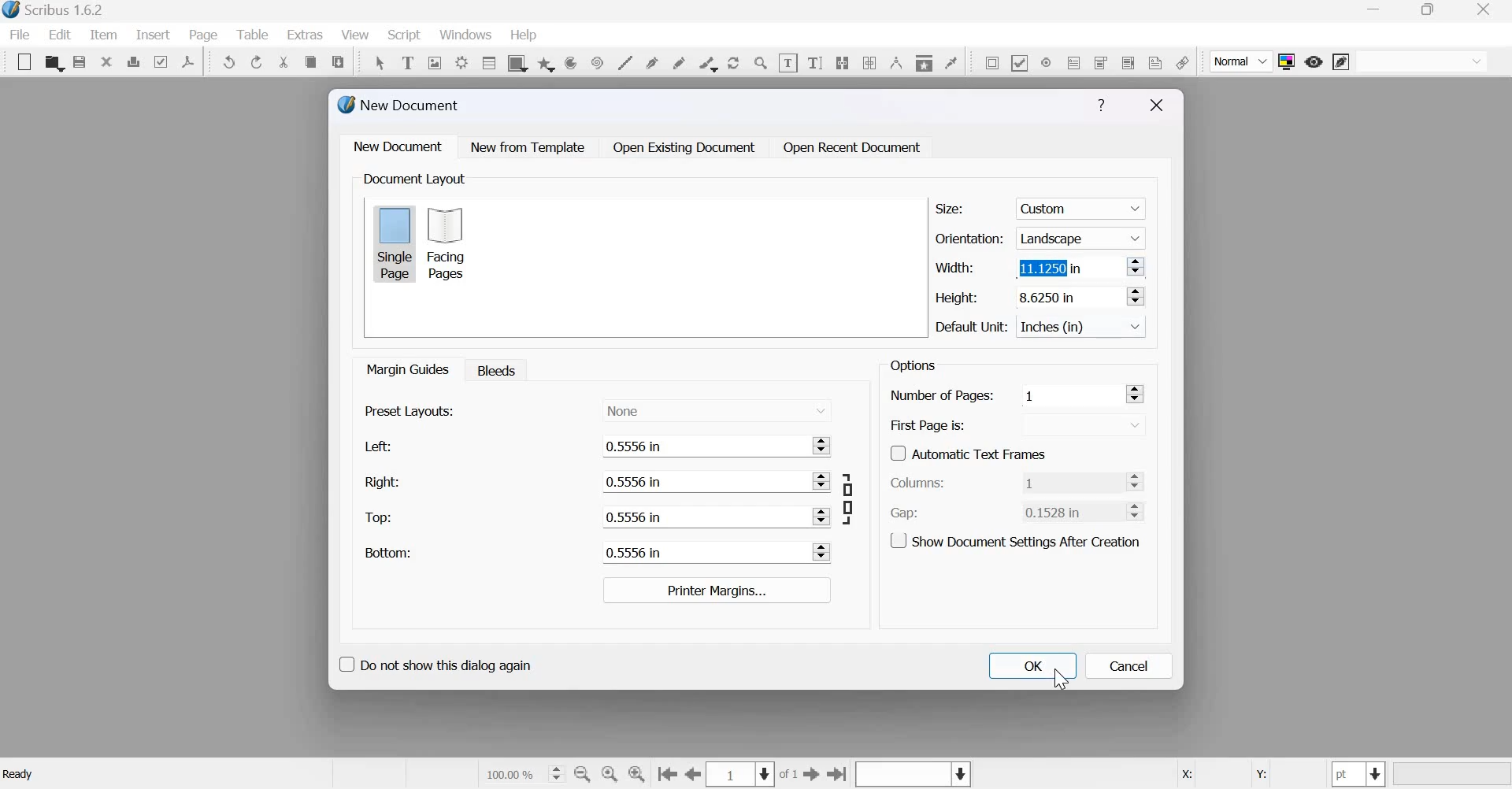 The height and width of the screenshot is (789, 1512). Describe the element at coordinates (638, 774) in the screenshot. I see `zoom in by the stepping value in Tools preferences` at that location.